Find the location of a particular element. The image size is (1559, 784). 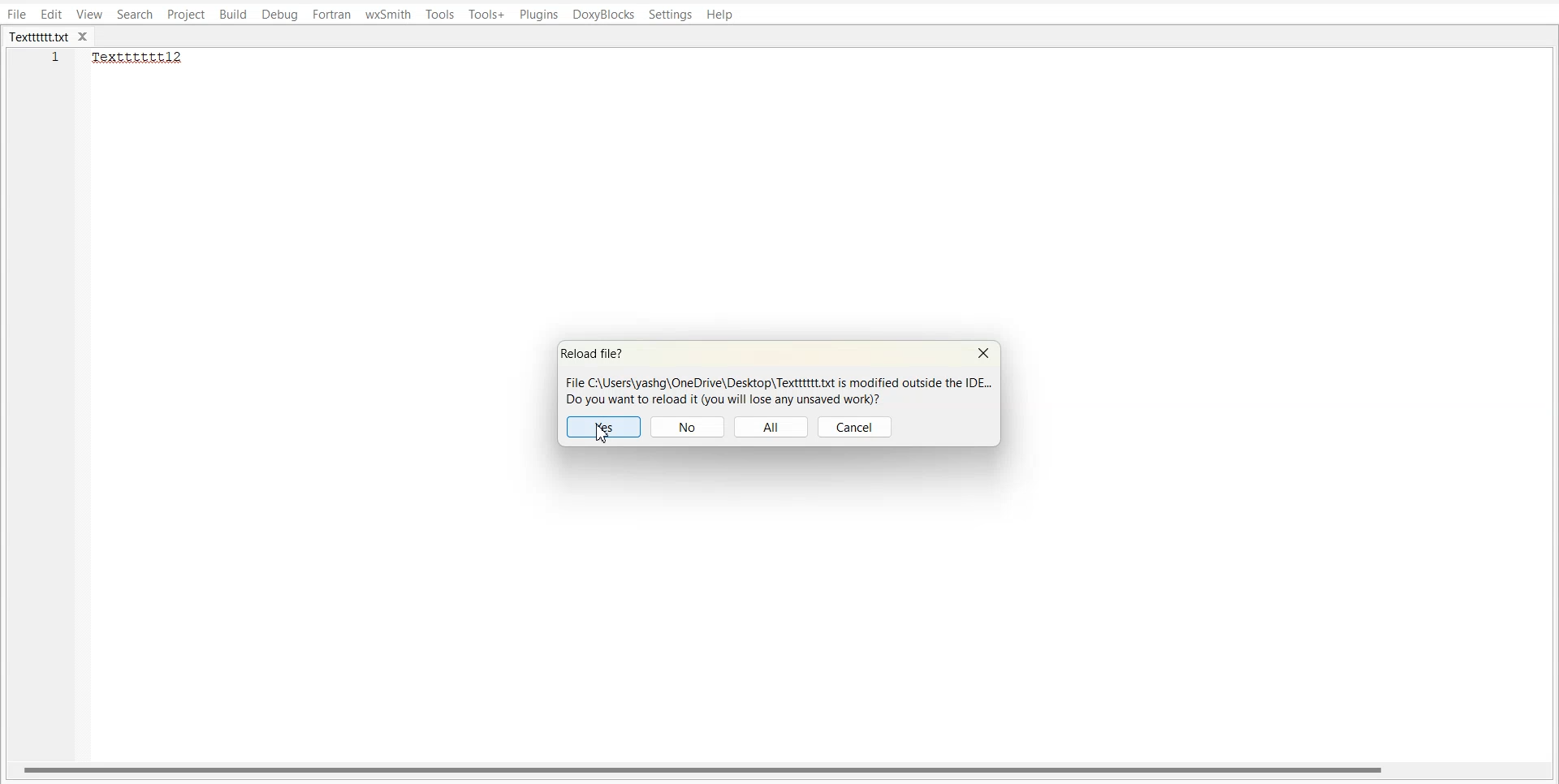

All is located at coordinates (771, 427).